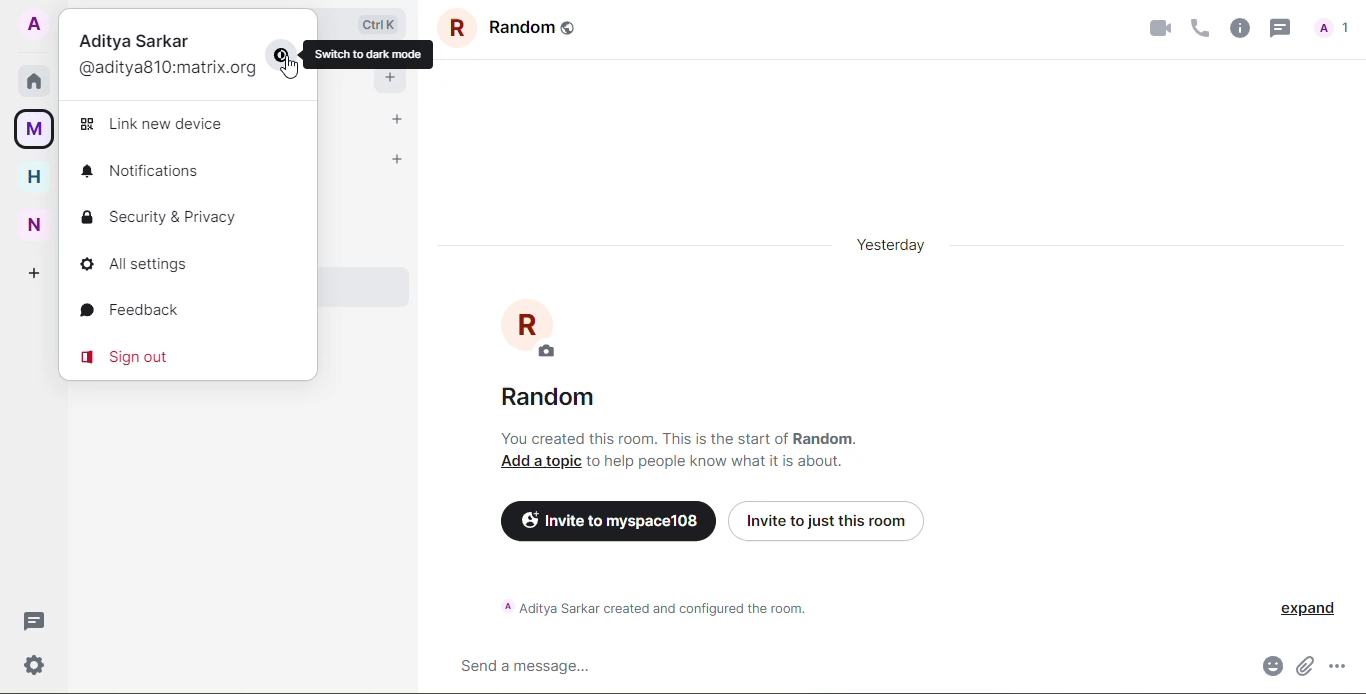 This screenshot has height=694, width=1366. I want to click on home, so click(28, 83).